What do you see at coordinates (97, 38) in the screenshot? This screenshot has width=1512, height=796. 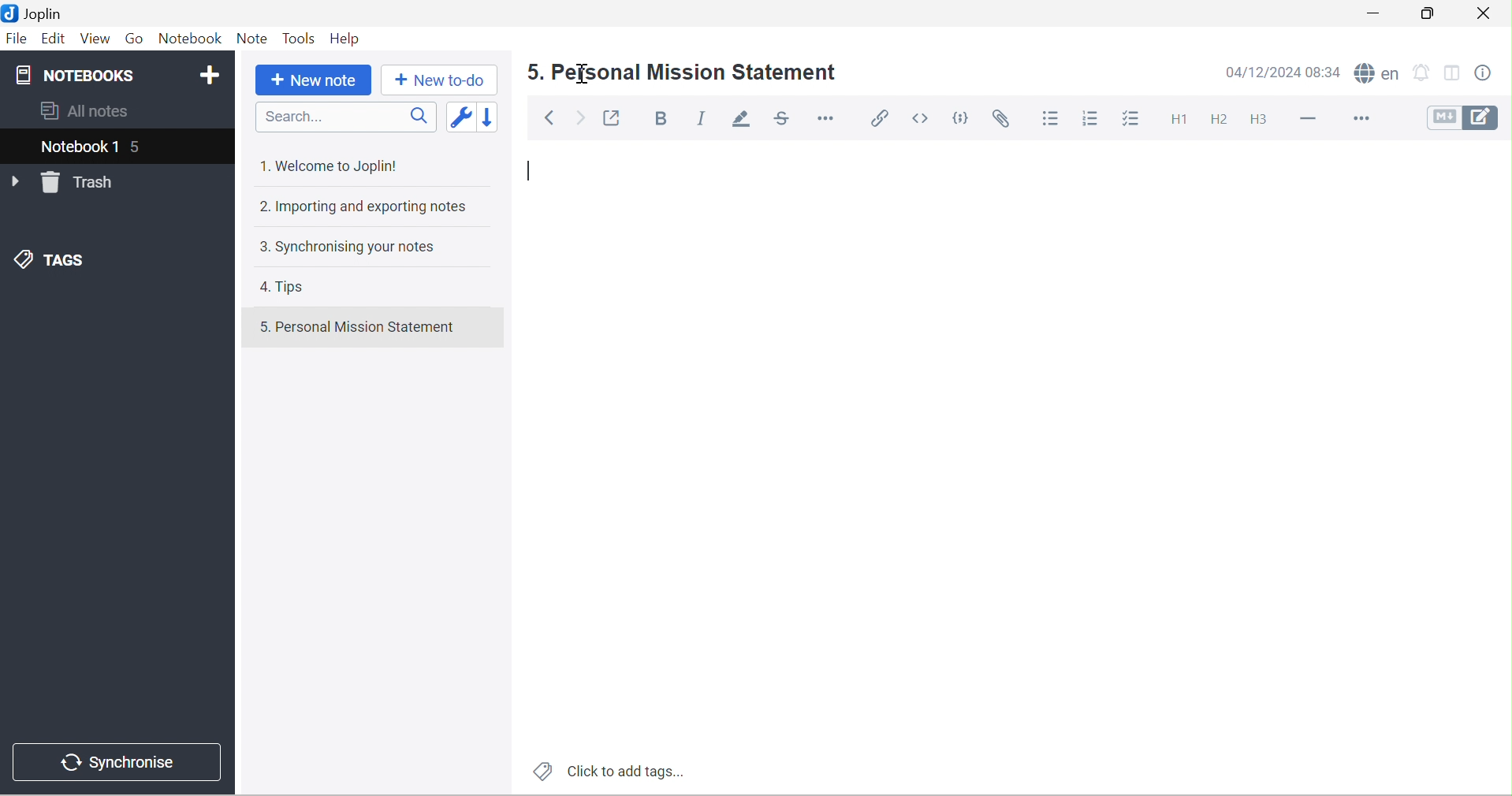 I see `View` at bounding box center [97, 38].